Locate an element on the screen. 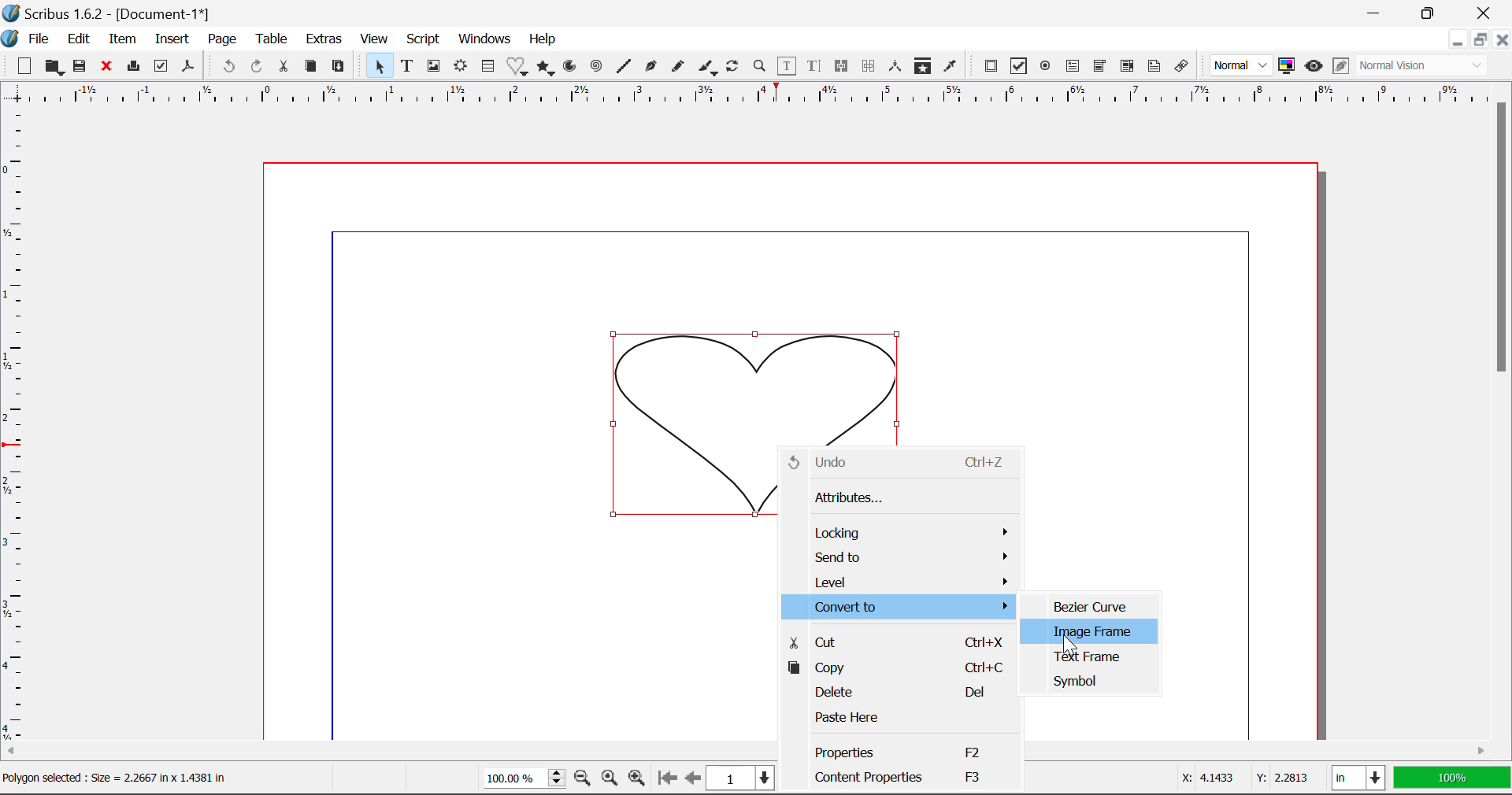 This screenshot has width=1512, height=795. Table is located at coordinates (274, 39).